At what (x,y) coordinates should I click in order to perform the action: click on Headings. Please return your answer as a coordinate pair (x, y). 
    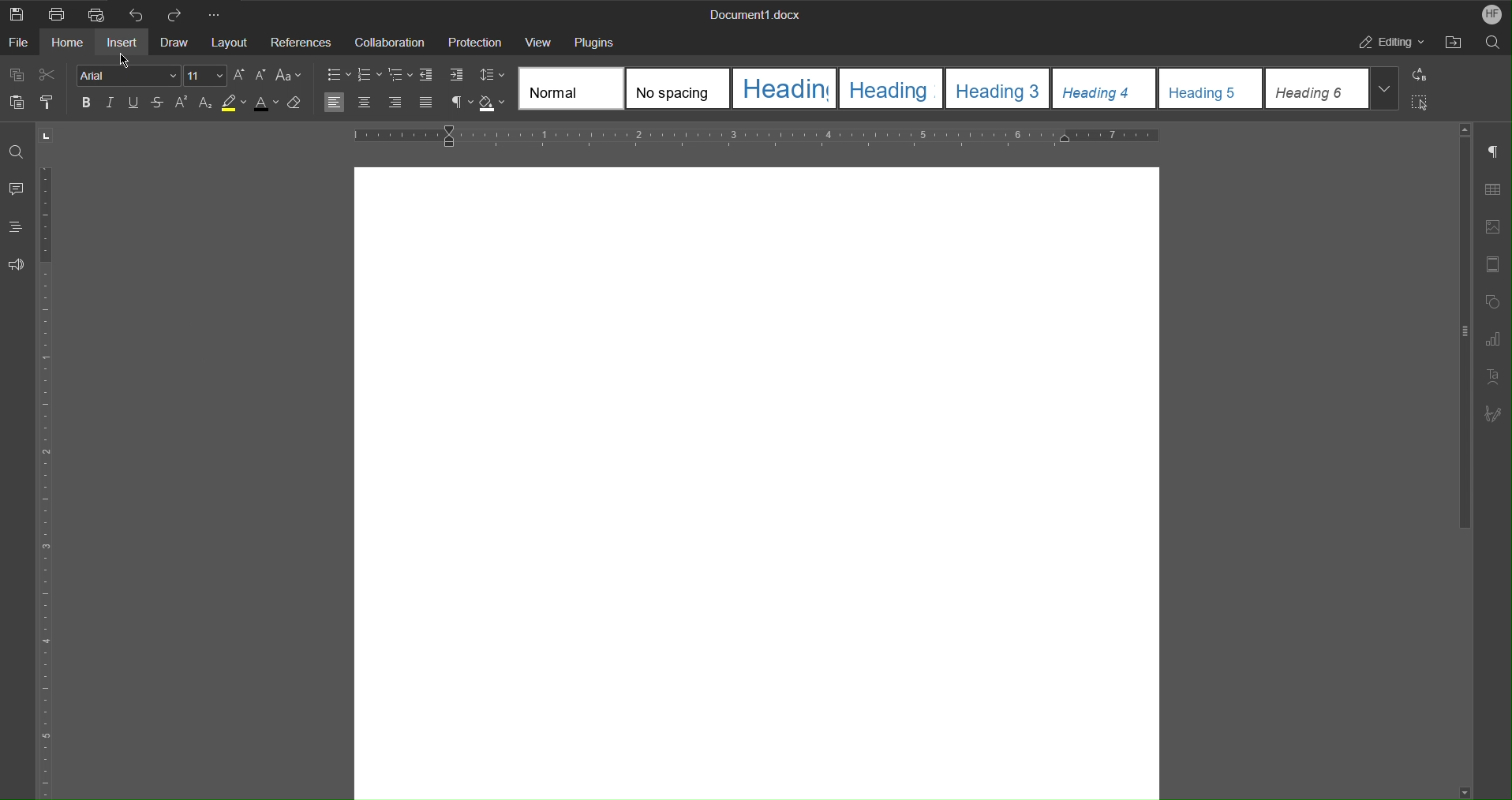
    Looking at the image, I should click on (18, 227).